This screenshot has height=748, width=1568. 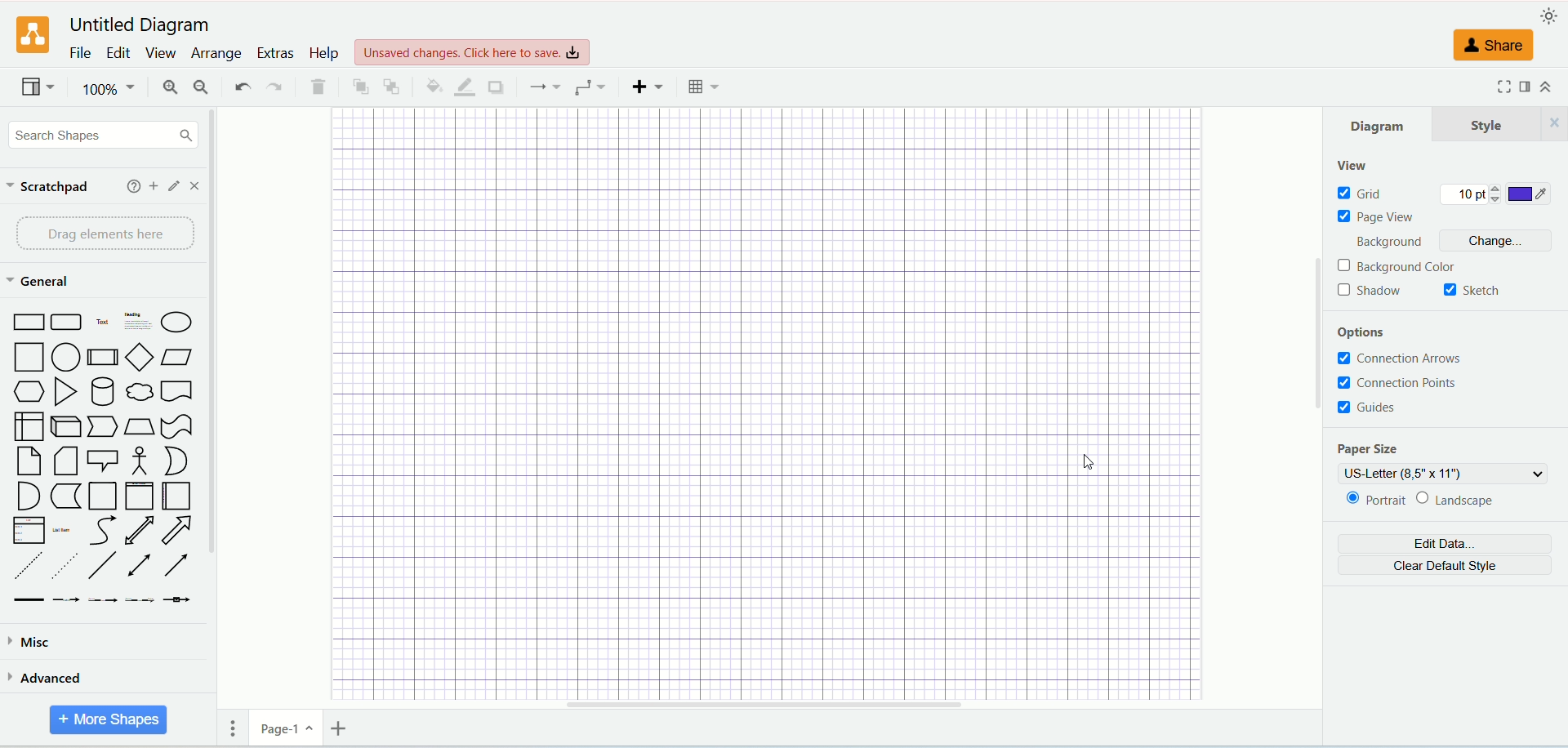 I want to click on 100%, so click(x=109, y=89).